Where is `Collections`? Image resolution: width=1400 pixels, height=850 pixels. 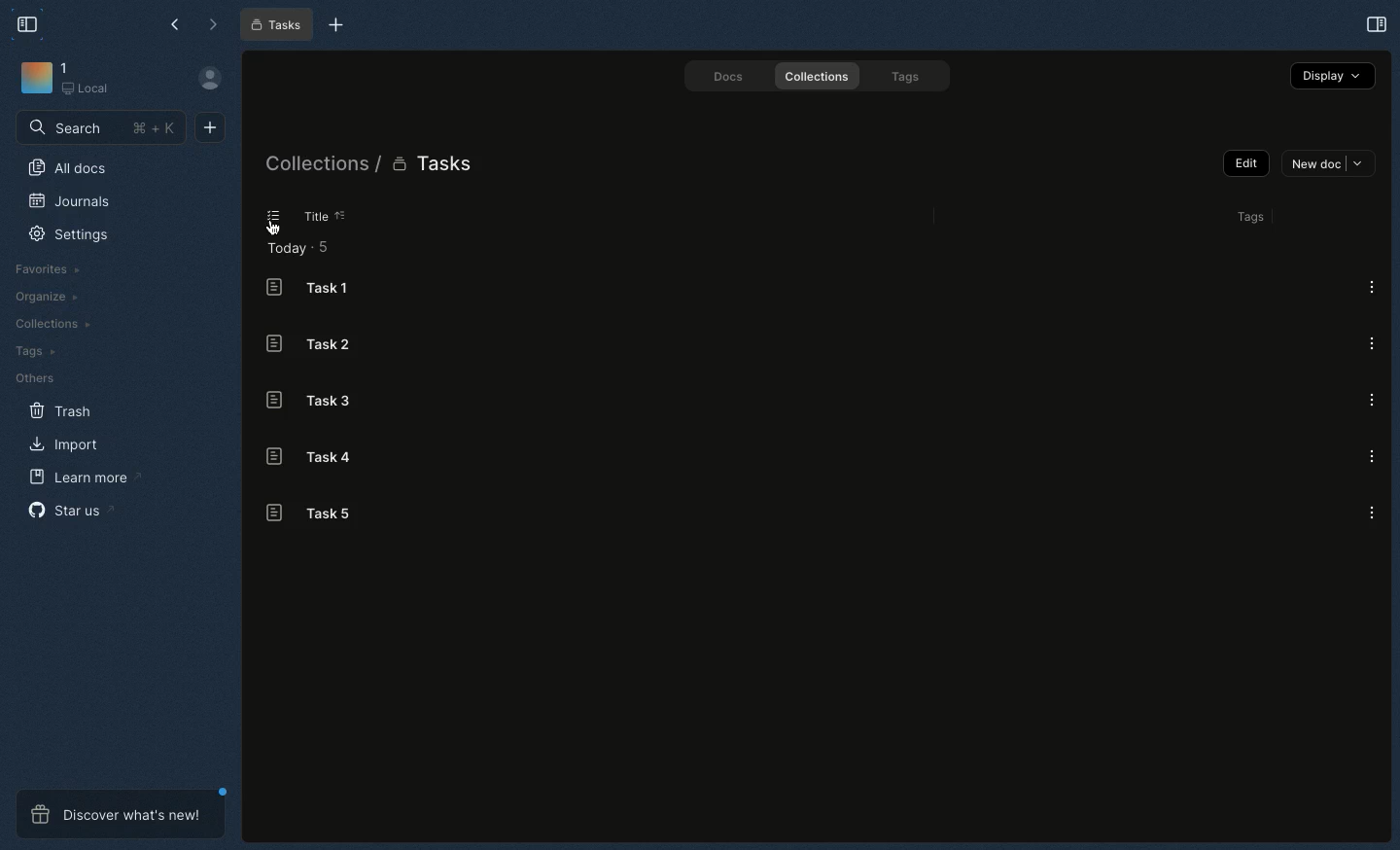 Collections is located at coordinates (820, 77).